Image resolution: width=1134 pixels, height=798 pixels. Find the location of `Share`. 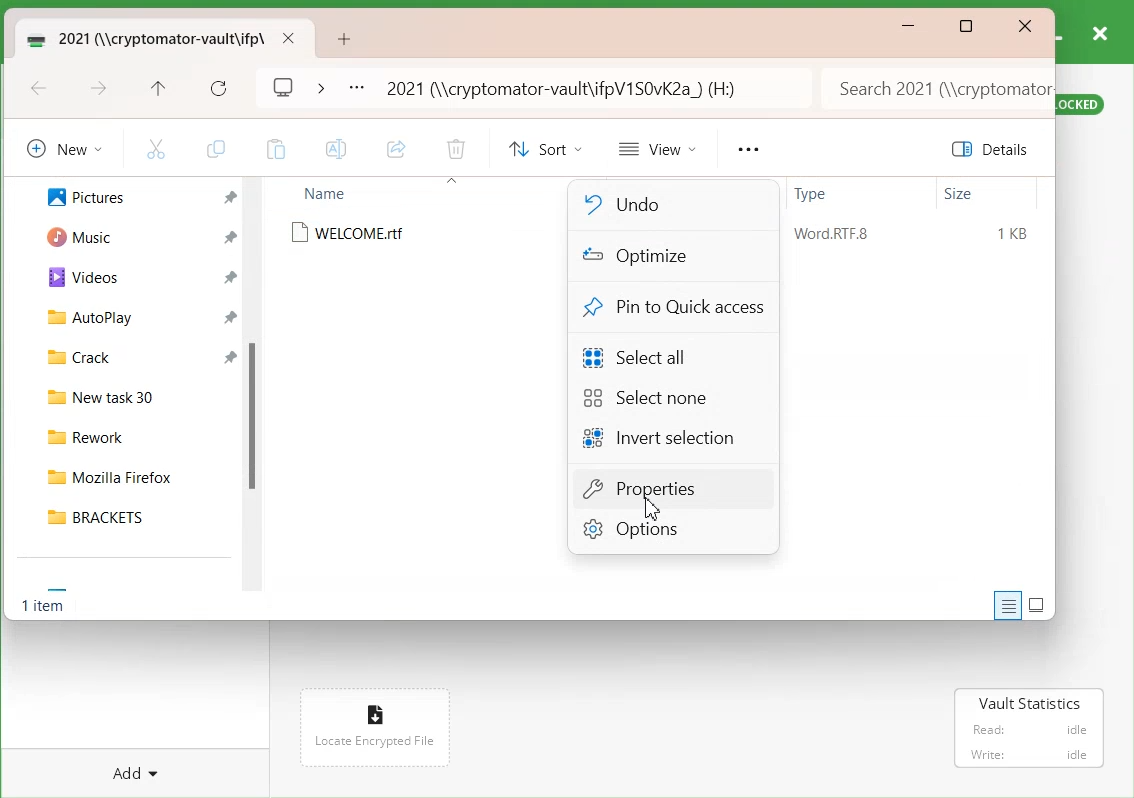

Share is located at coordinates (396, 150).